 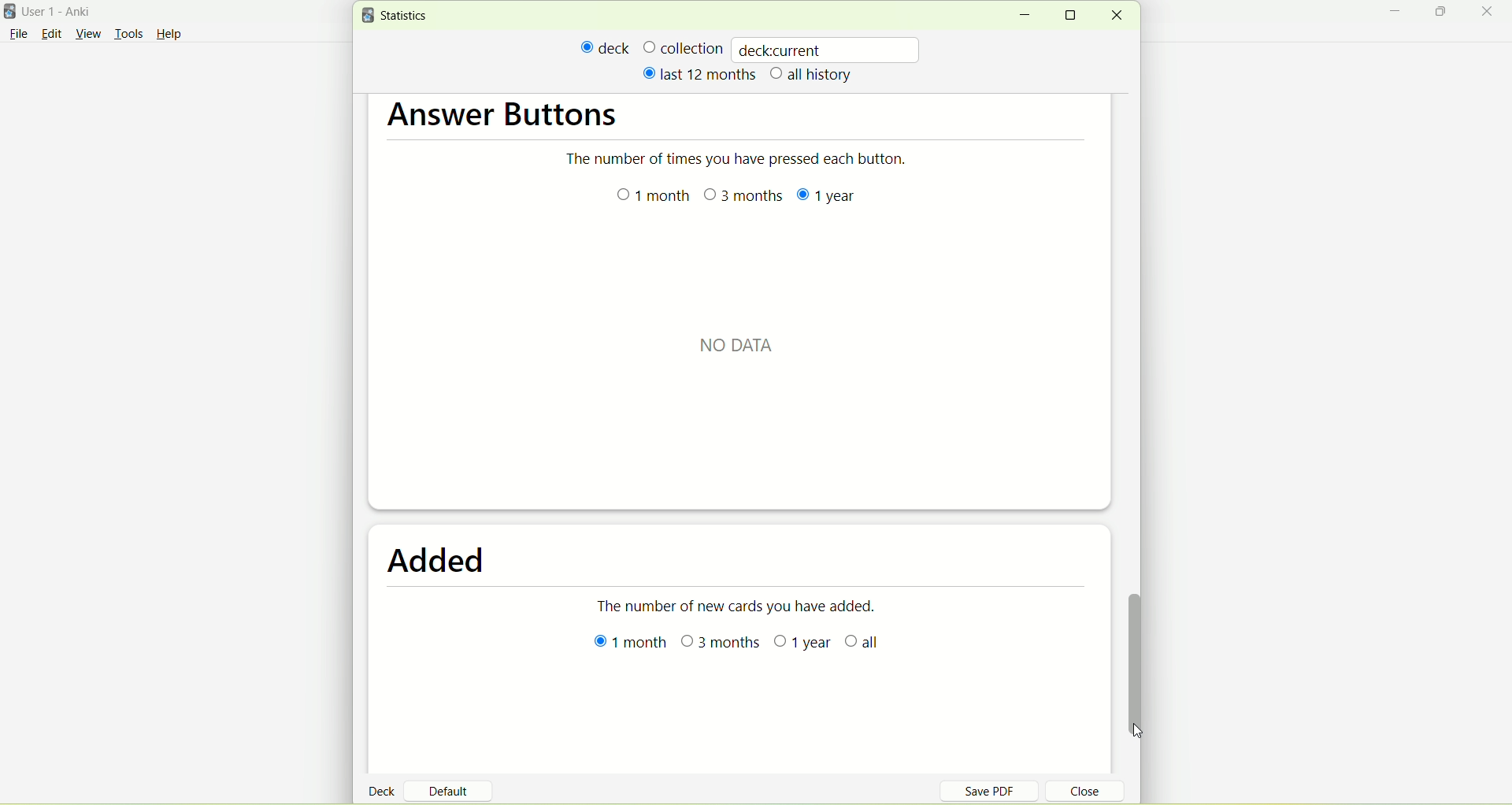 What do you see at coordinates (384, 790) in the screenshot?
I see `deck` at bounding box center [384, 790].